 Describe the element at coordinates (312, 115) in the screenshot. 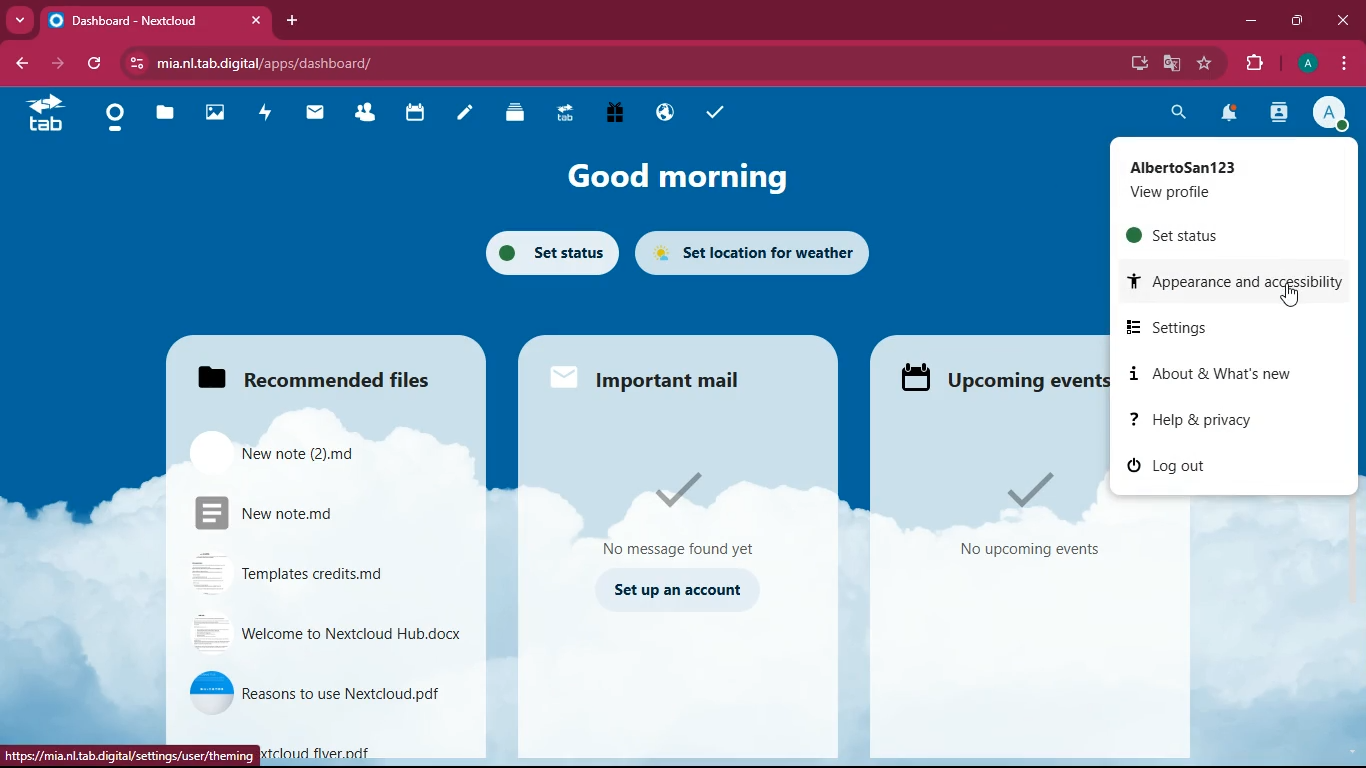

I see `mail` at that location.